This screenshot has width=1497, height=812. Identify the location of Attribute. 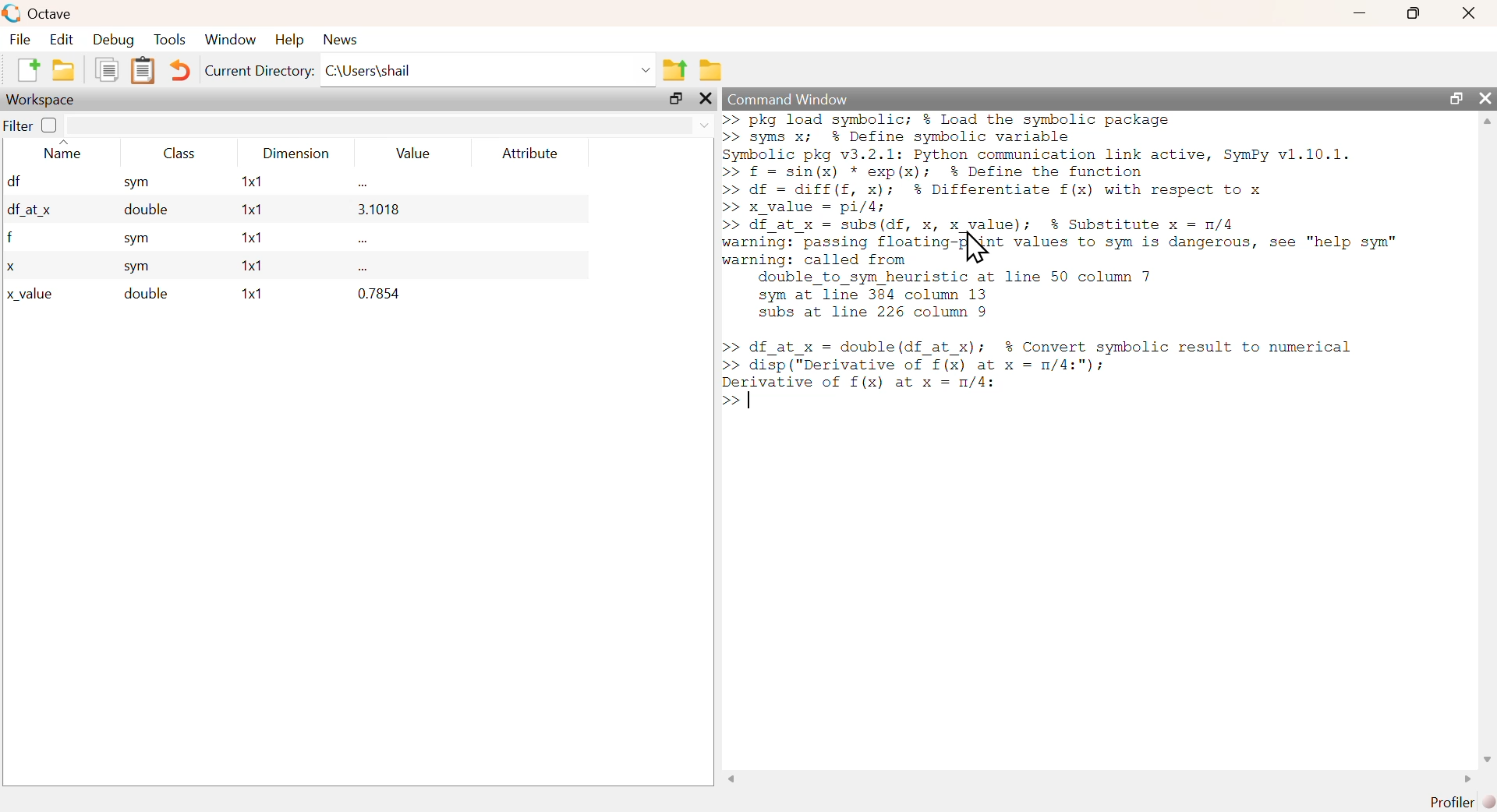
(531, 153).